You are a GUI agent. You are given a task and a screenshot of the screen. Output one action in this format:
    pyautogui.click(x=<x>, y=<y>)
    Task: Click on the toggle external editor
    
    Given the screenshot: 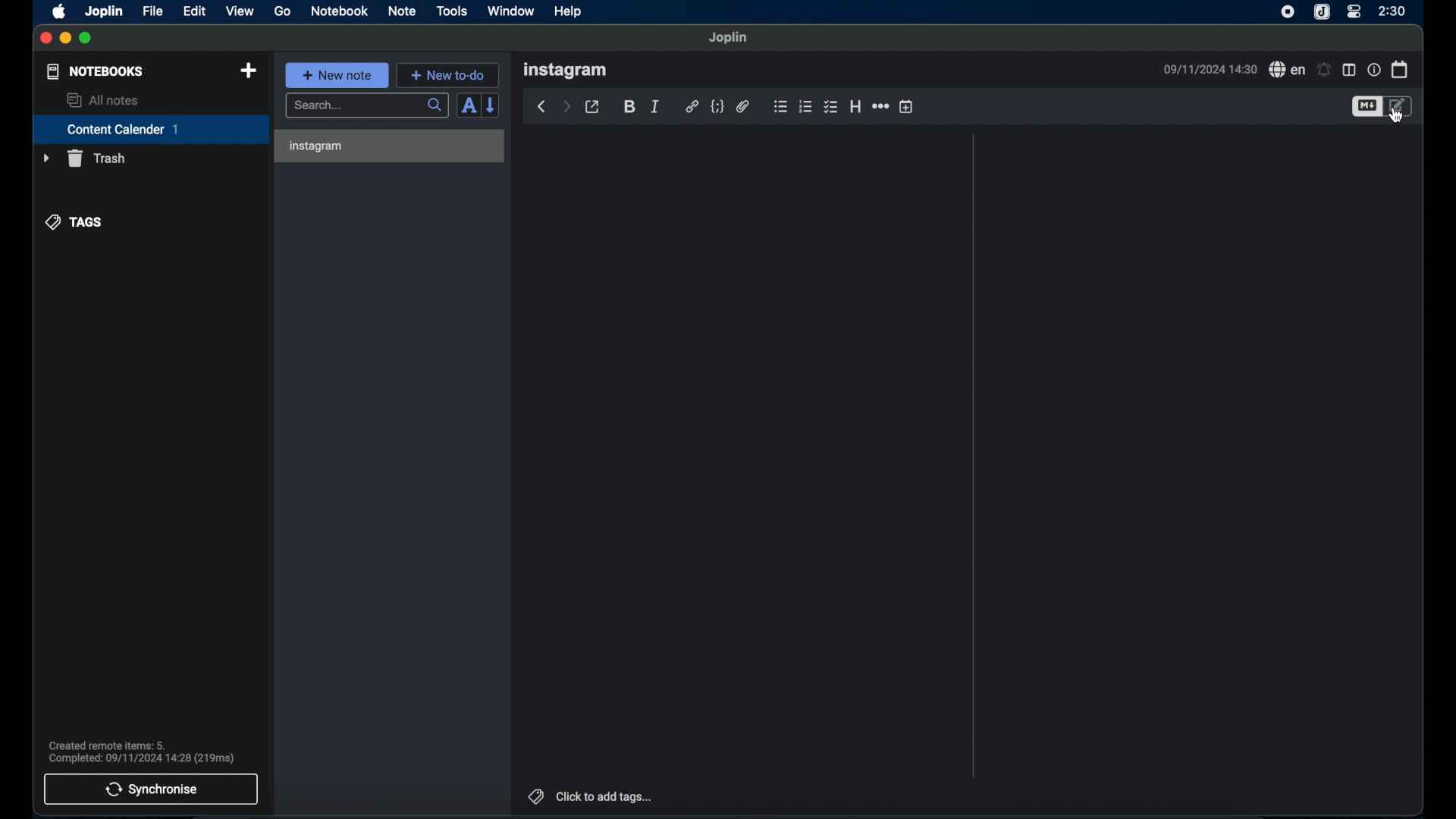 What is the action you would take?
    pyautogui.click(x=592, y=107)
    